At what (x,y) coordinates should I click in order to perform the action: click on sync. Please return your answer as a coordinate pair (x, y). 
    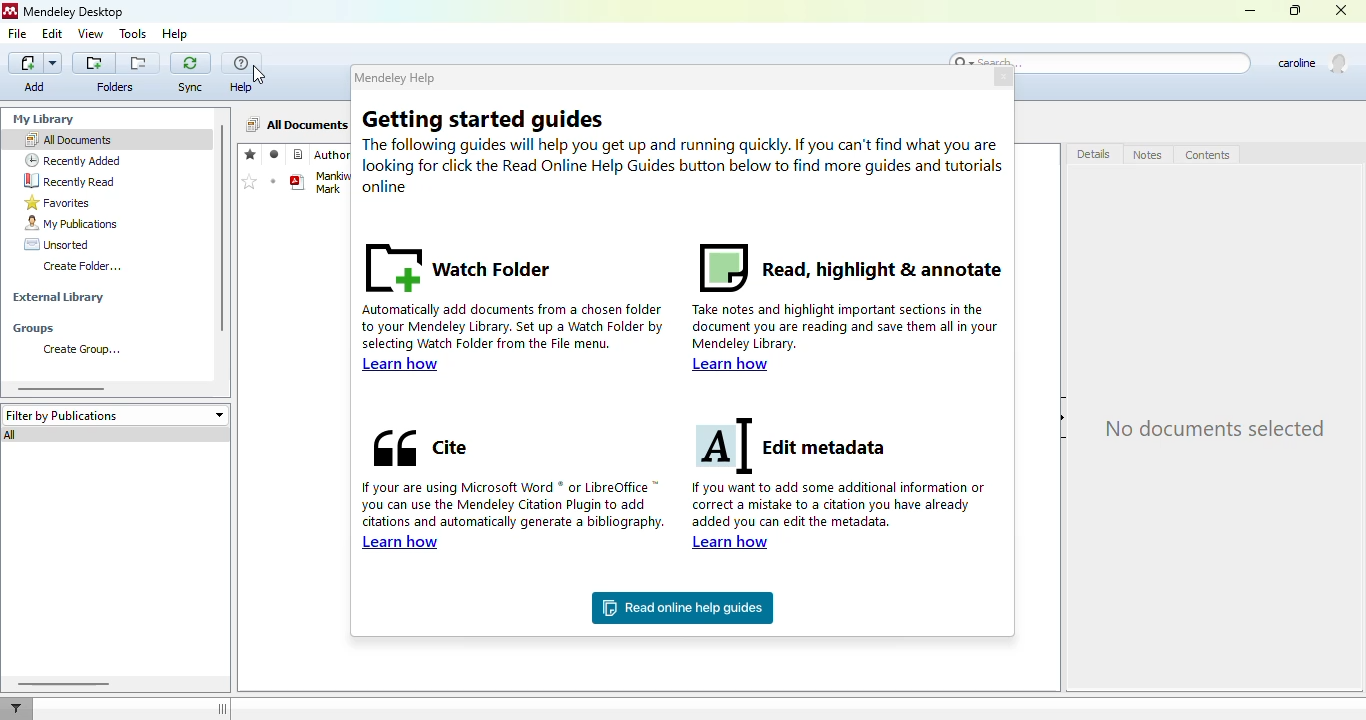
    Looking at the image, I should click on (191, 74).